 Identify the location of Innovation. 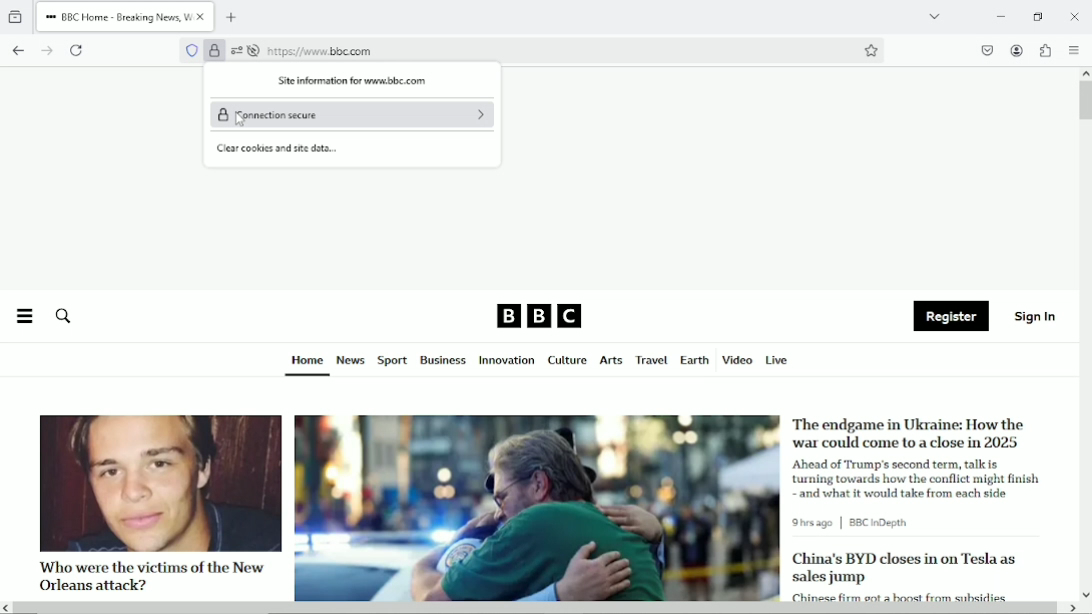
(507, 361).